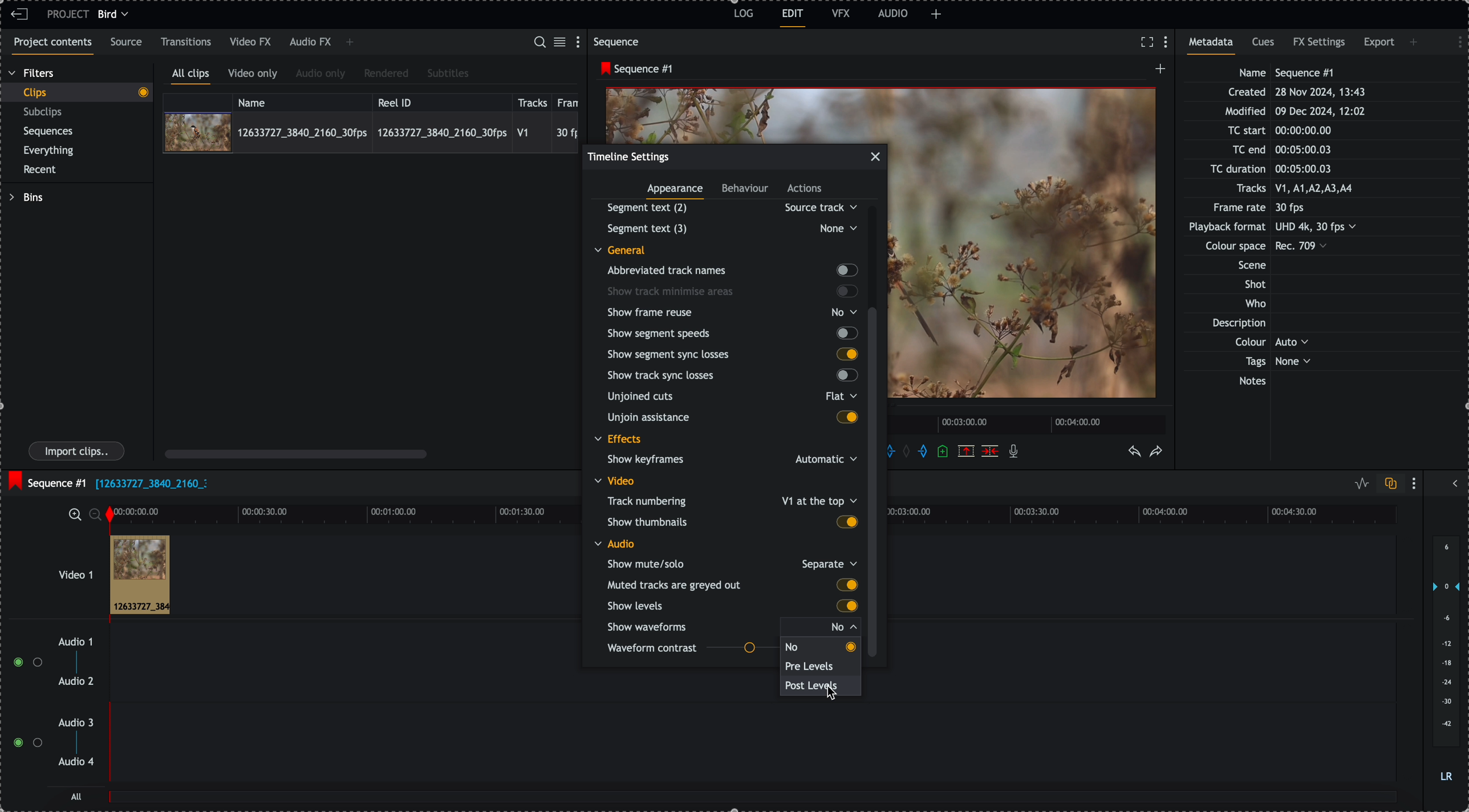 This screenshot has width=1469, height=812. I want to click on video 1, so click(60, 569).